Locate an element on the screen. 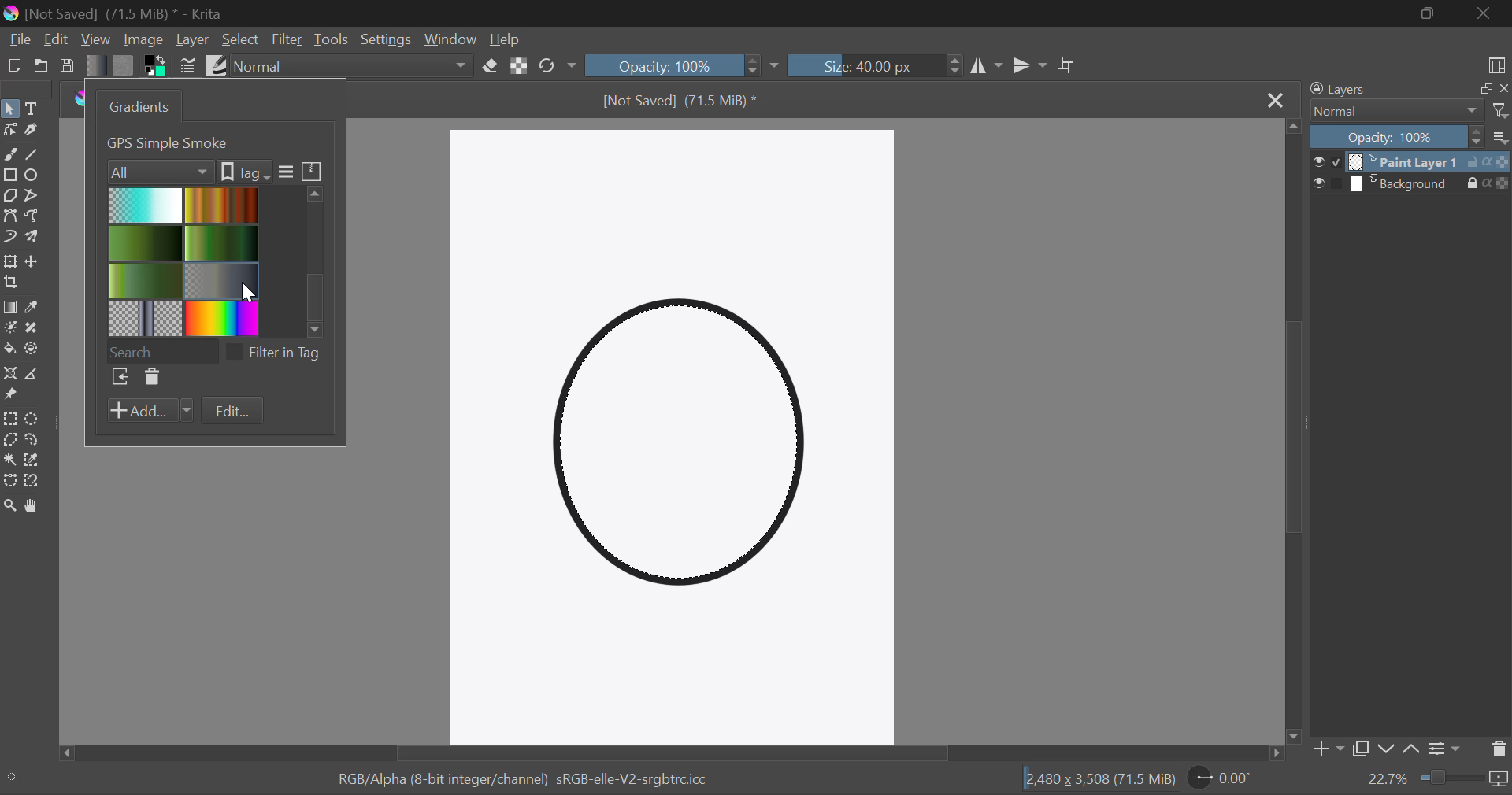 This screenshot has height=795, width=1512. Fill is located at coordinates (10, 350).